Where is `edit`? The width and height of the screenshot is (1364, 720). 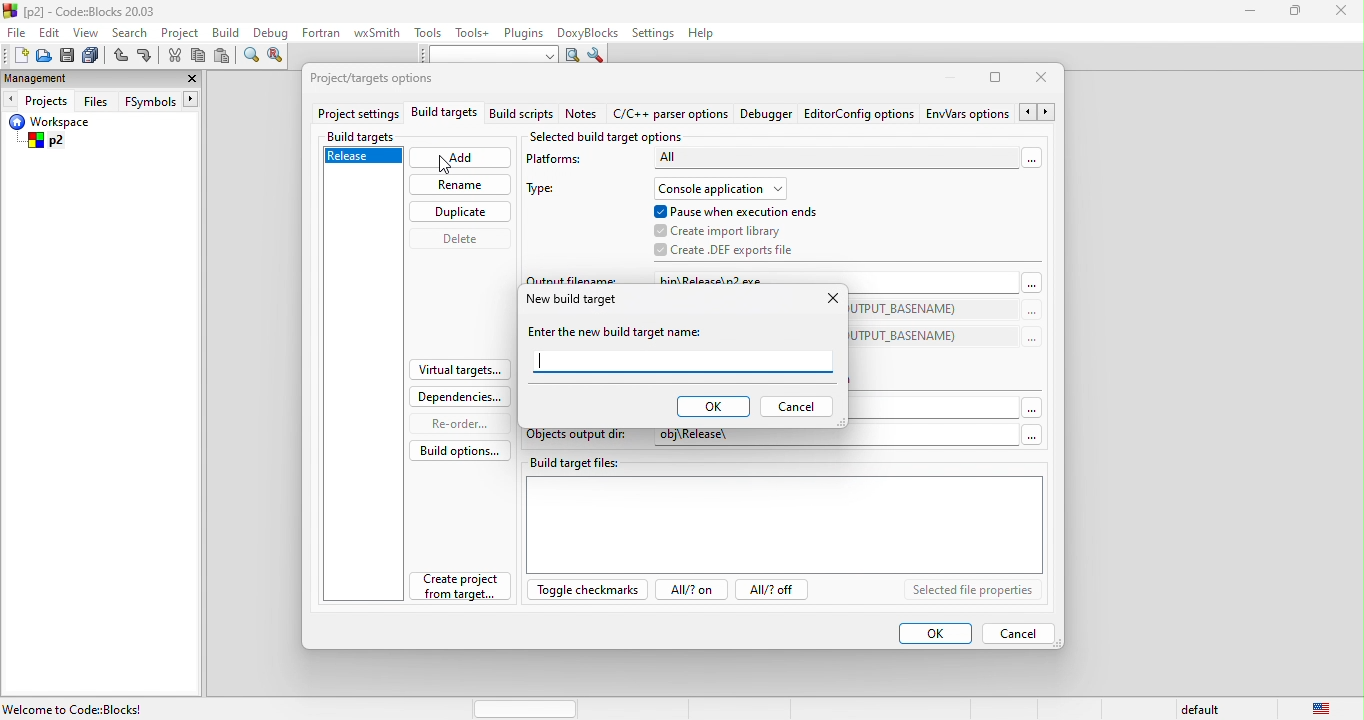 edit is located at coordinates (52, 31).